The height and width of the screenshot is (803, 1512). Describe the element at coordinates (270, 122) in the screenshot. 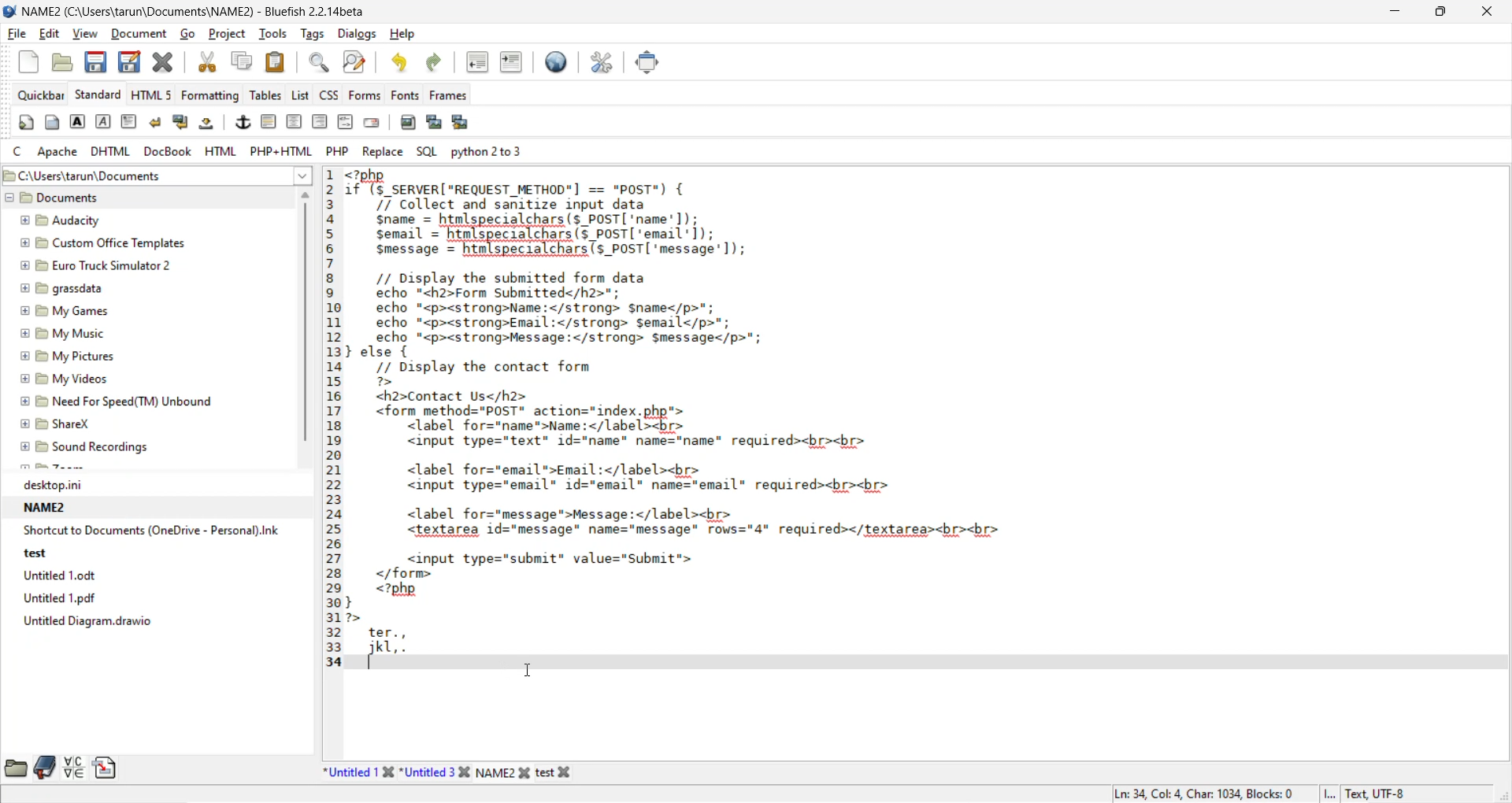

I see `horizontal rule` at that location.